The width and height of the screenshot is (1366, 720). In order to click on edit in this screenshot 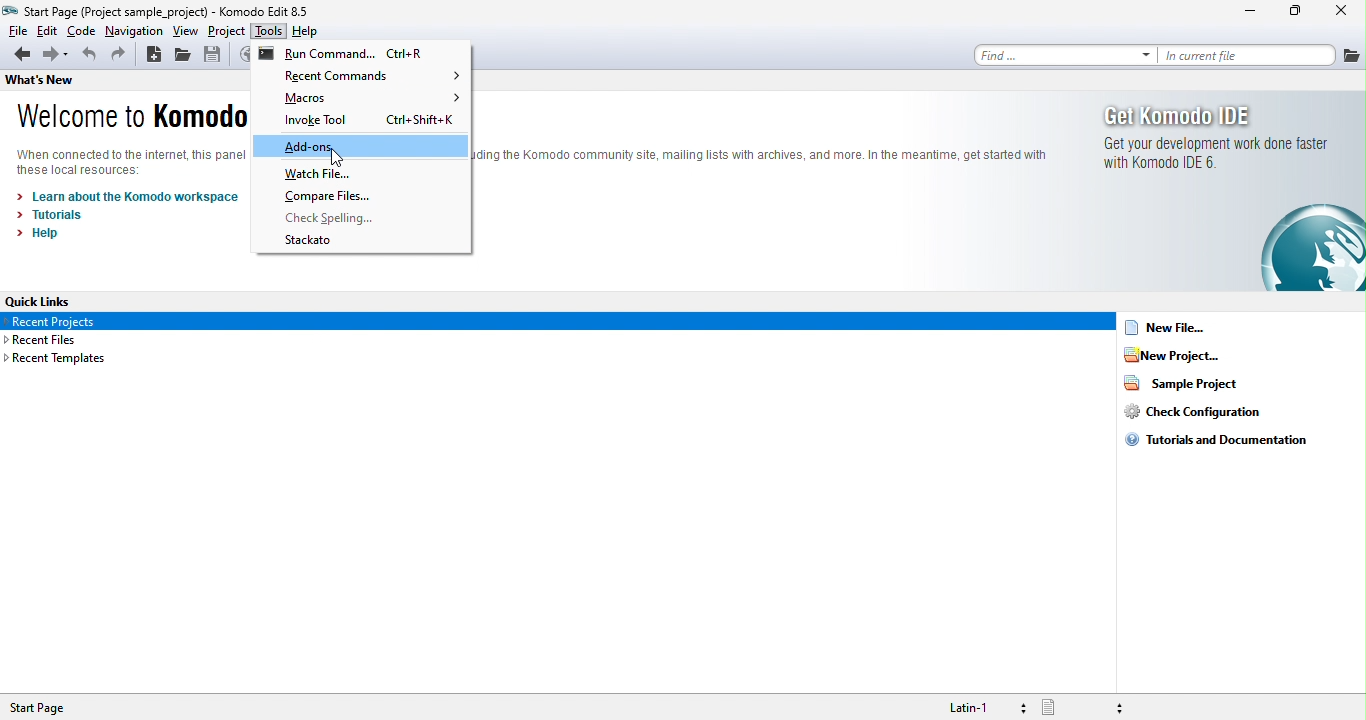, I will do `click(47, 31)`.